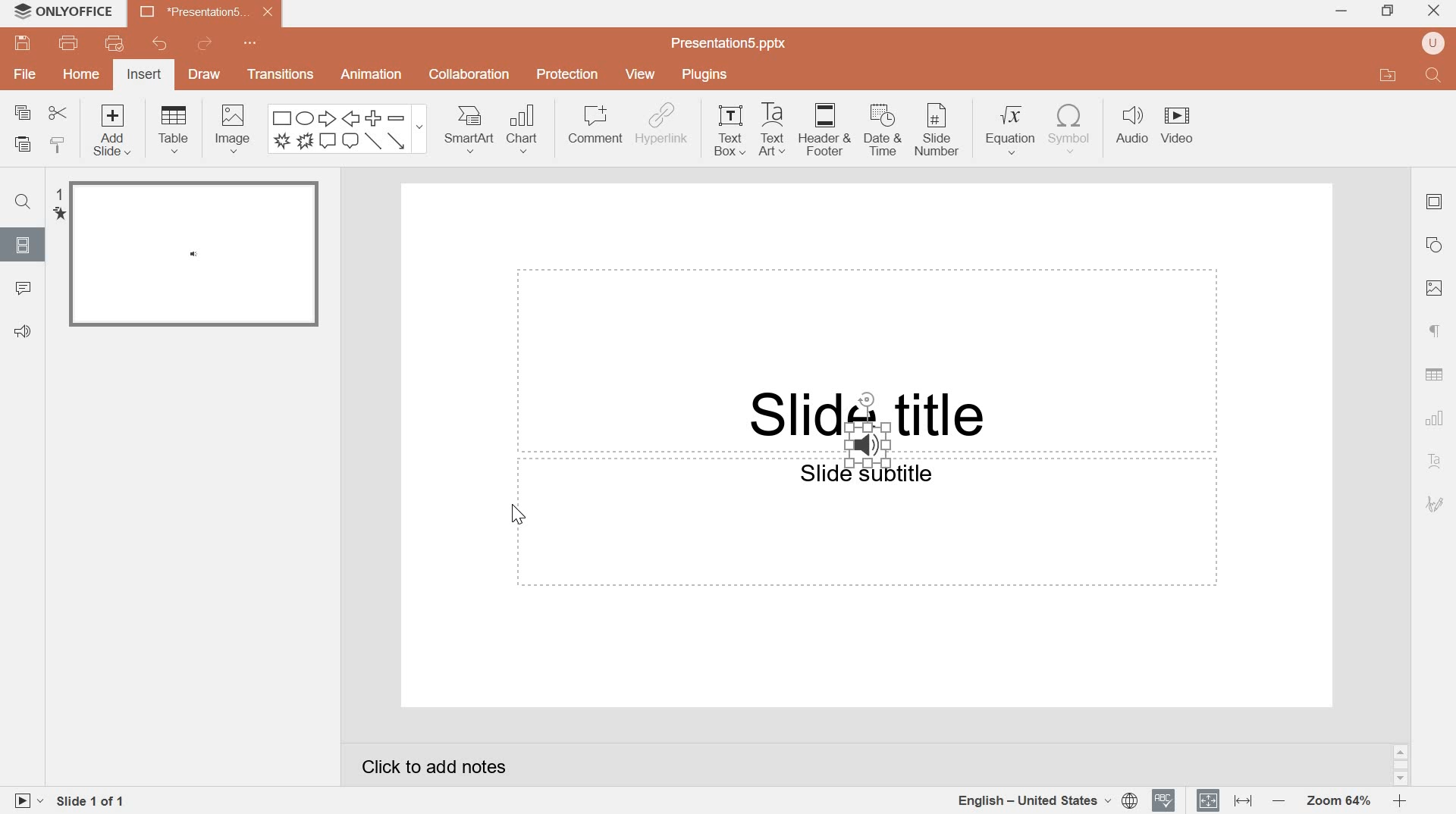  I want to click on Draw, so click(204, 76).